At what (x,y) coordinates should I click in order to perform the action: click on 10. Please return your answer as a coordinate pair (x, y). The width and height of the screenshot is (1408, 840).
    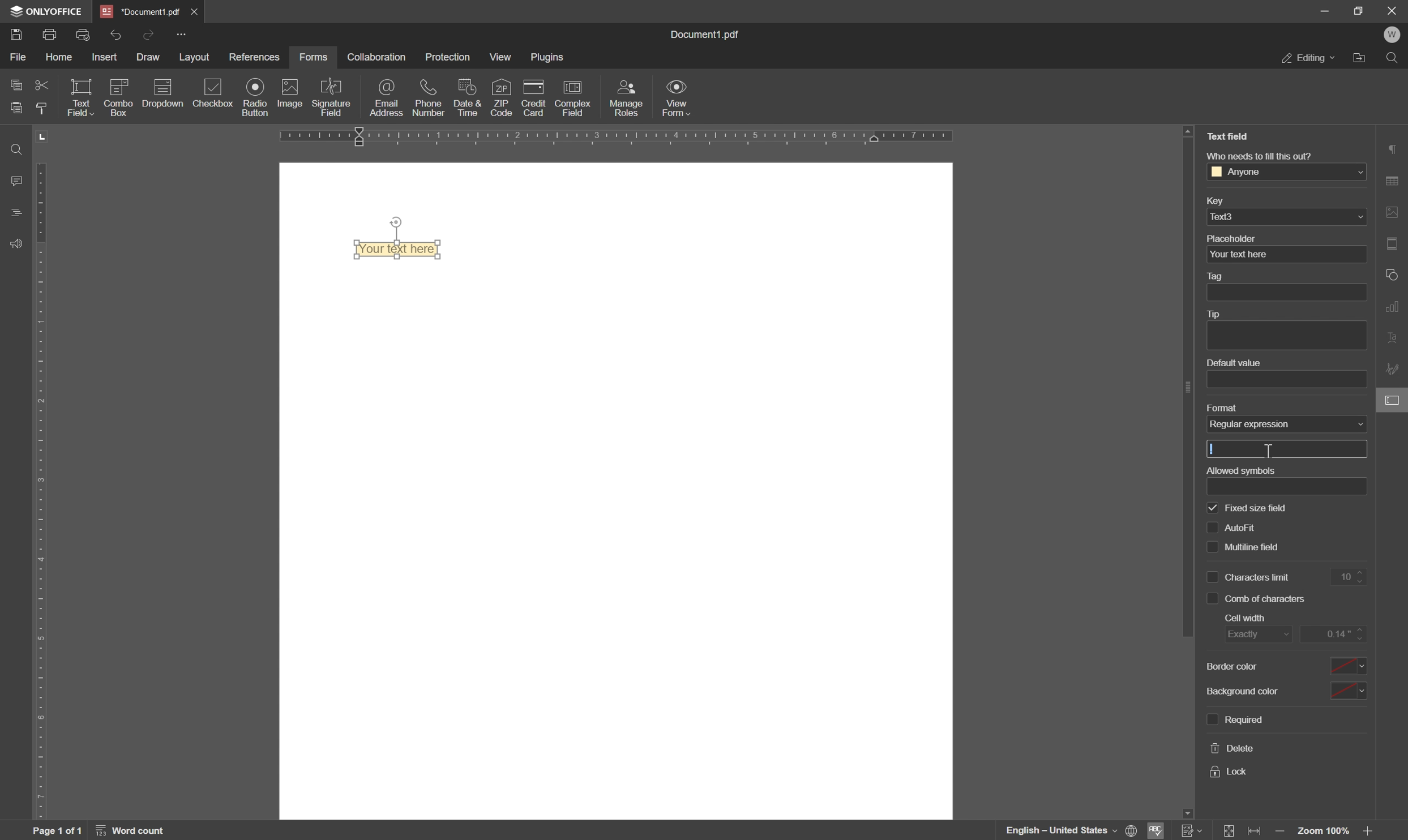
    Looking at the image, I should click on (1352, 577).